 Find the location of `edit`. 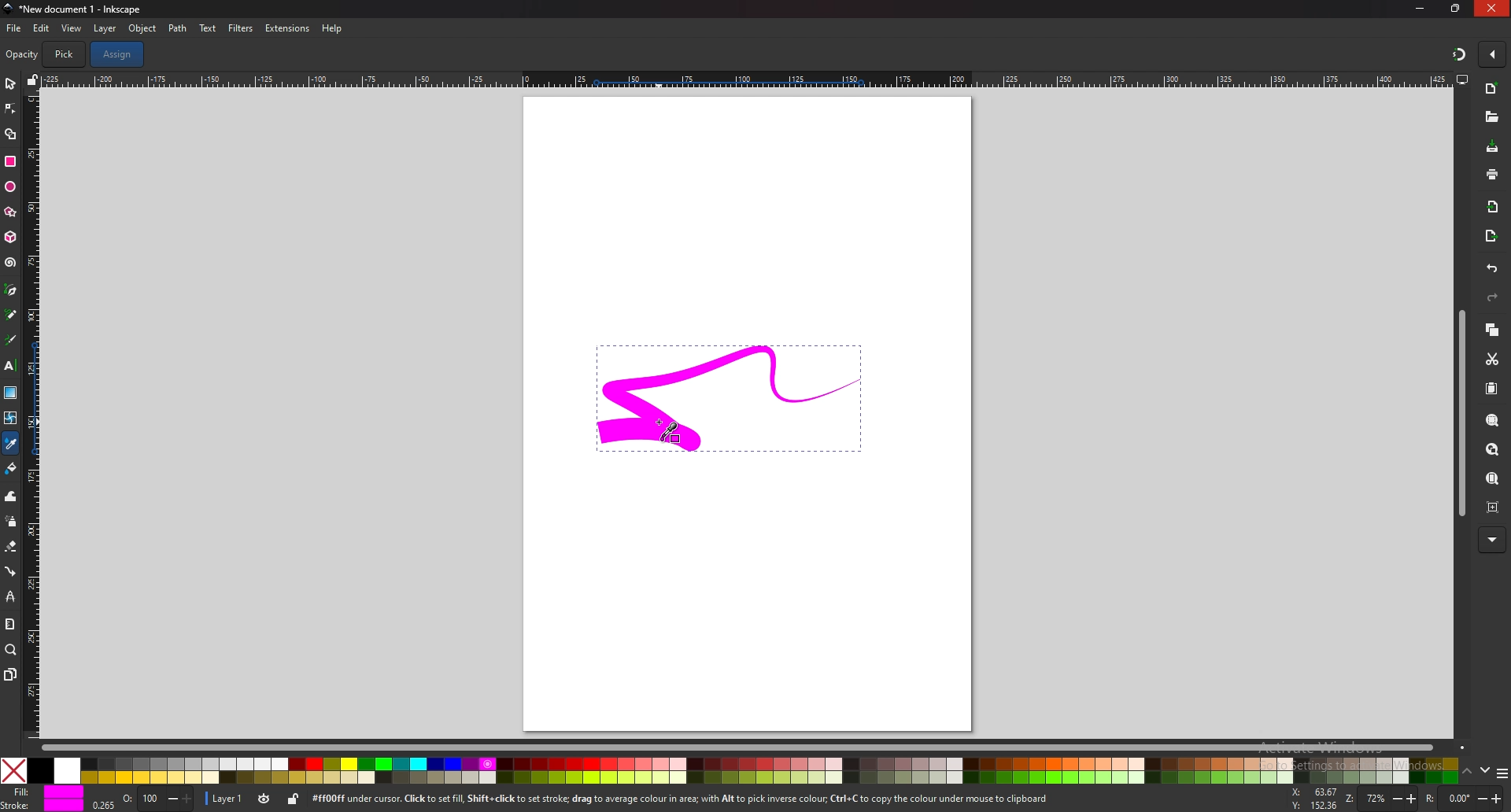

edit is located at coordinates (42, 28).